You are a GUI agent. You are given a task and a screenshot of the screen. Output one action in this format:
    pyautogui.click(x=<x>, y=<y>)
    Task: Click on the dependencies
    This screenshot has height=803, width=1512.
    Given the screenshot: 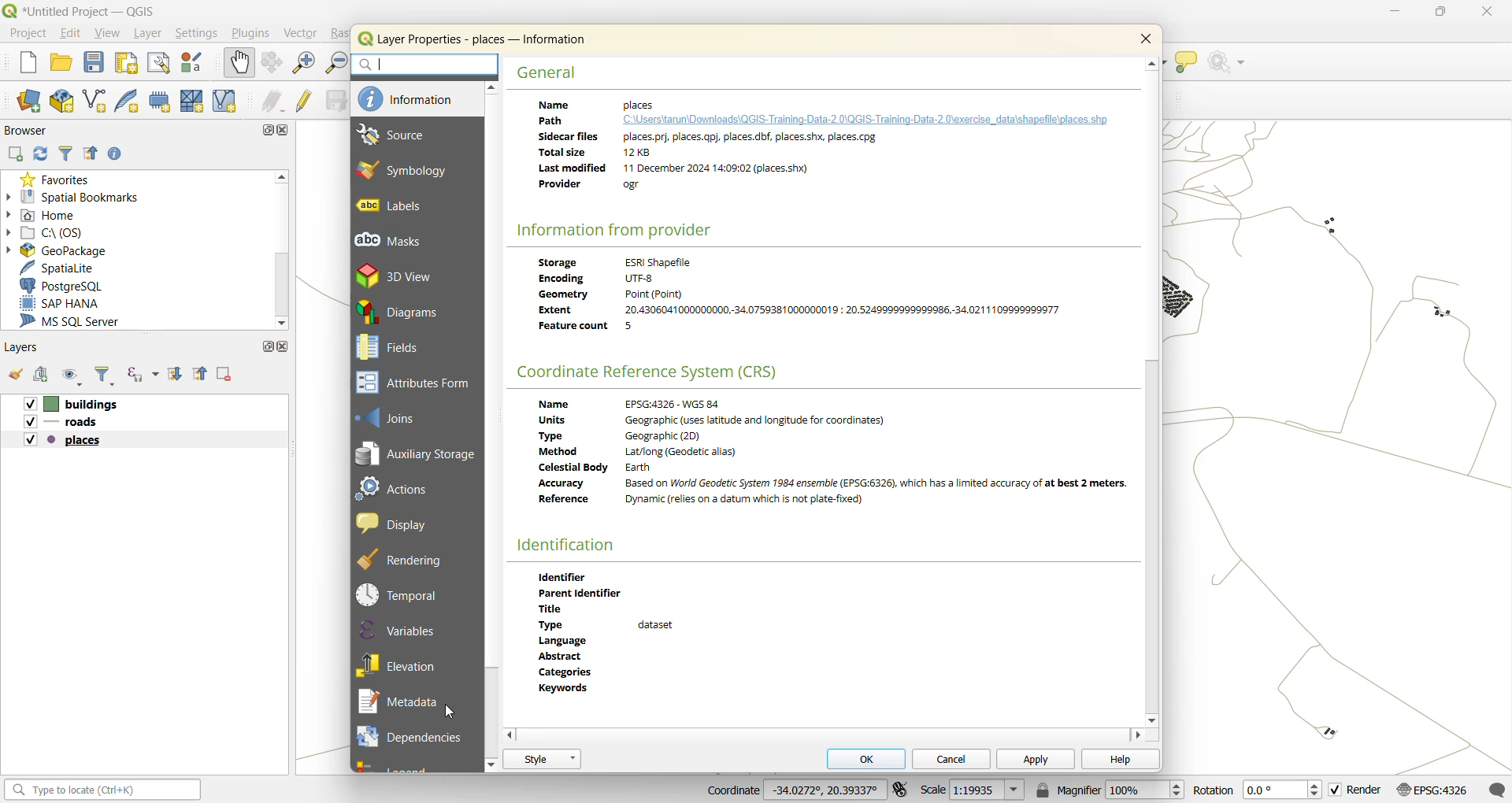 What is the action you would take?
    pyautogui.click(x=409, y=737)
    